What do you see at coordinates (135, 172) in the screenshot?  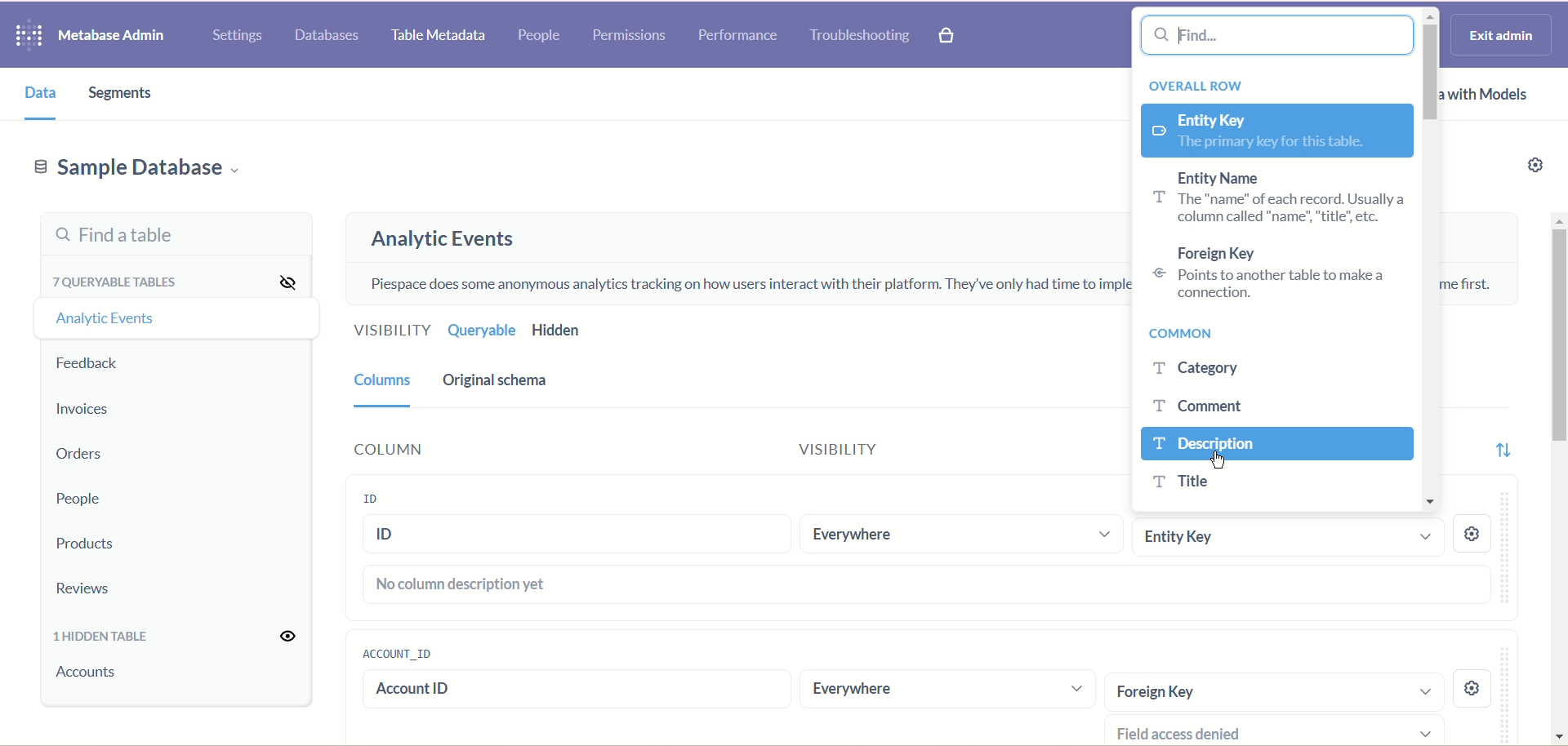 I see `sample database` at bounding box center [135, 172].